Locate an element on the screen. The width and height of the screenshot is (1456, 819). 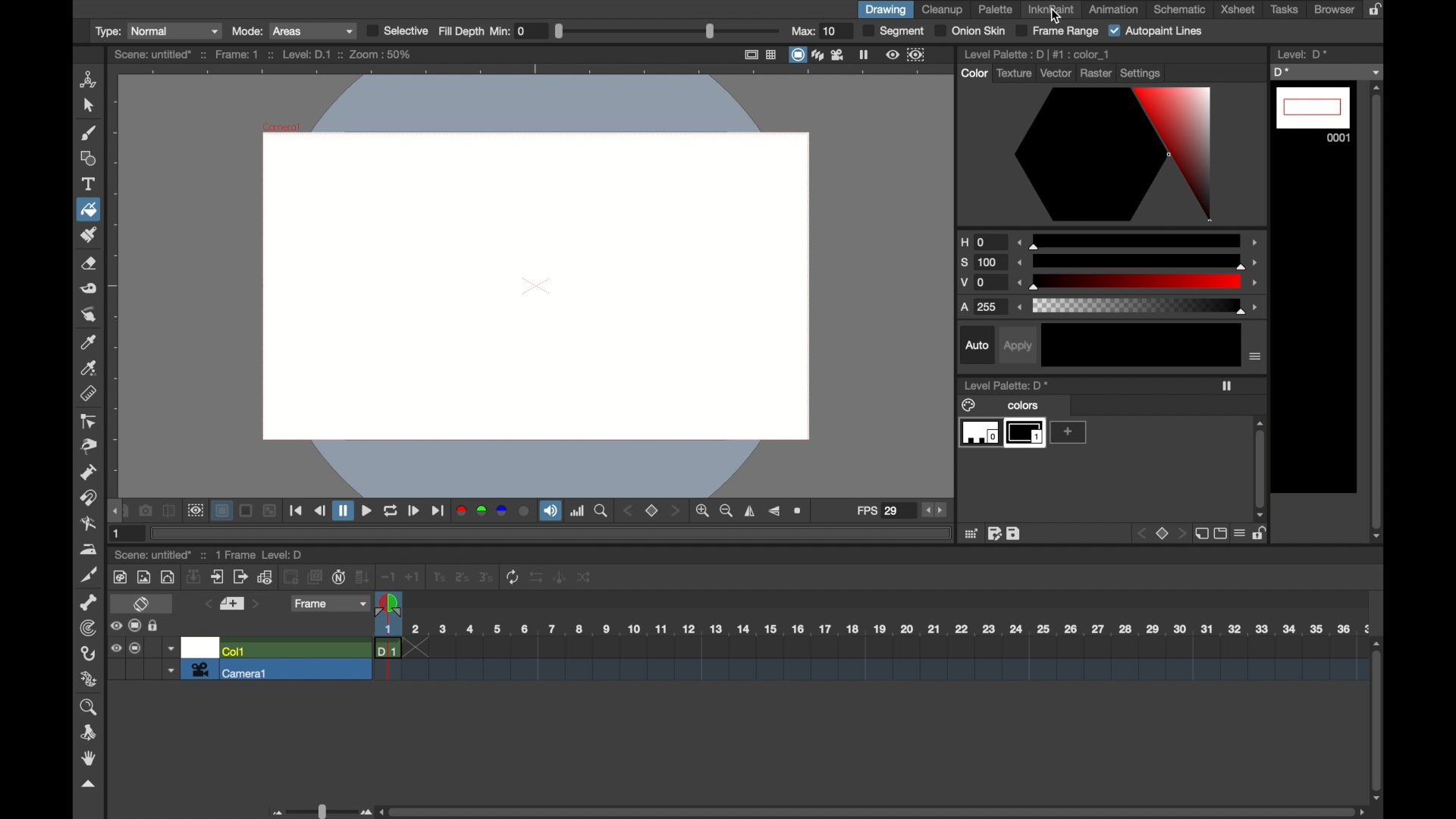
control point editor tool is located at coordinates (87, 421).